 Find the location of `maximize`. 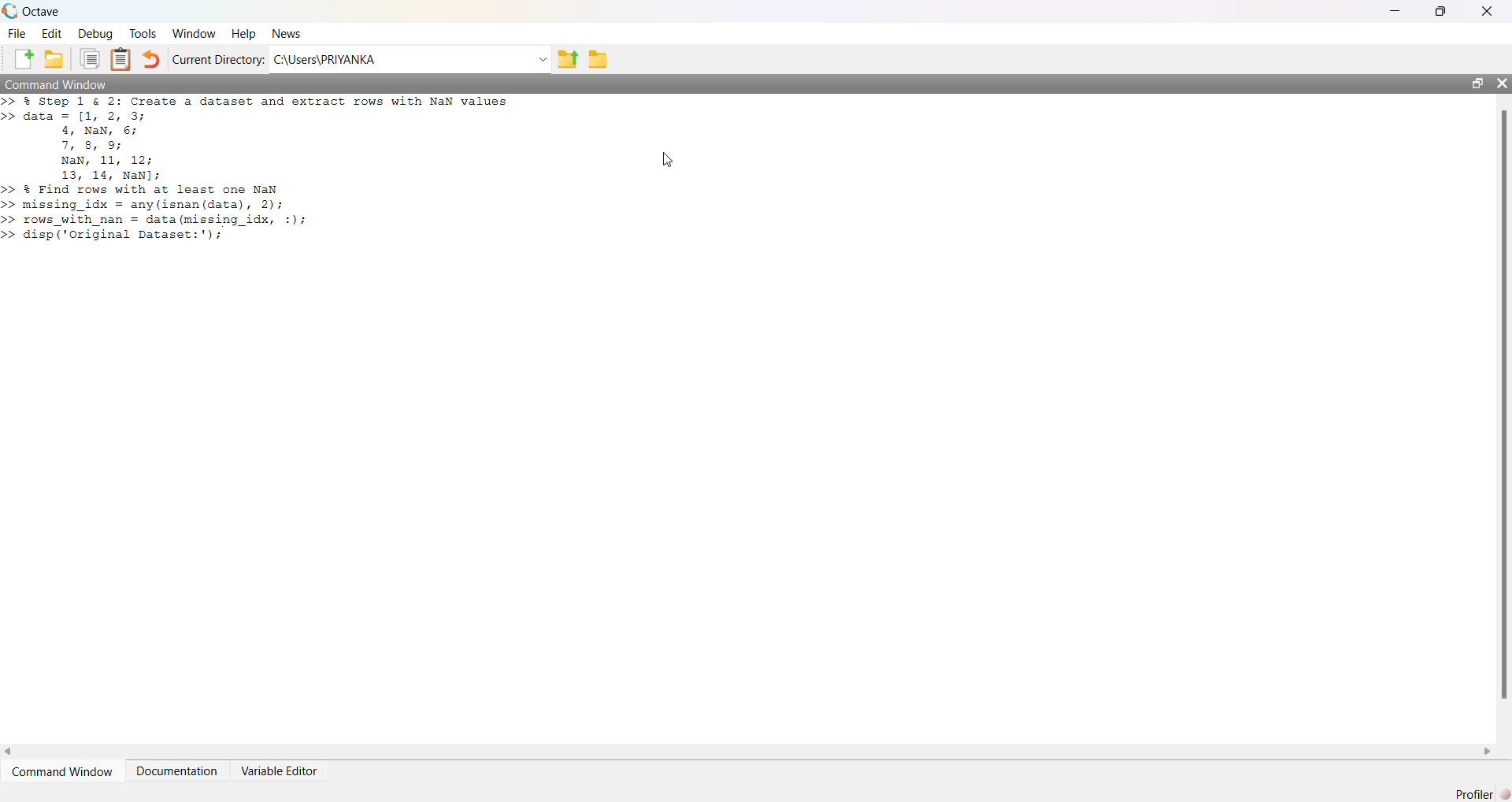

maximize is located at coordinates (1477, 83).